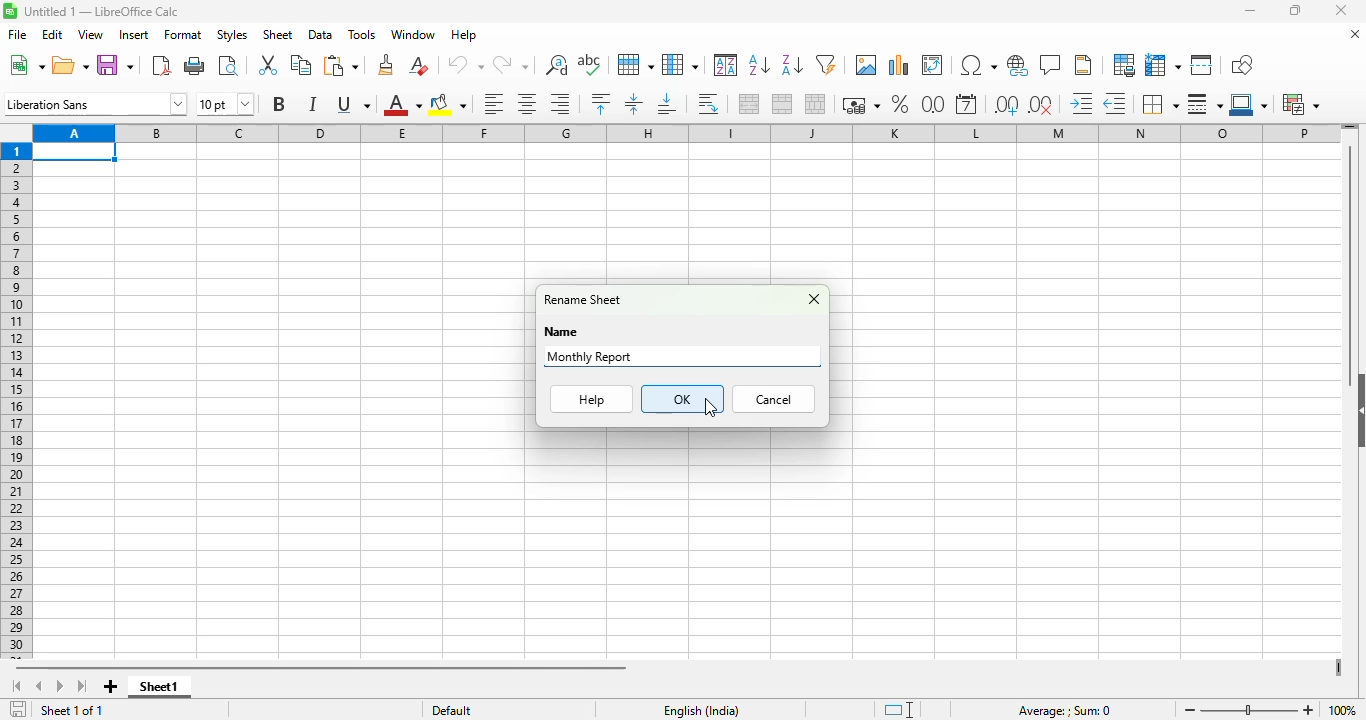  I want to click on sheet 1 of 1, so click(72, 710).